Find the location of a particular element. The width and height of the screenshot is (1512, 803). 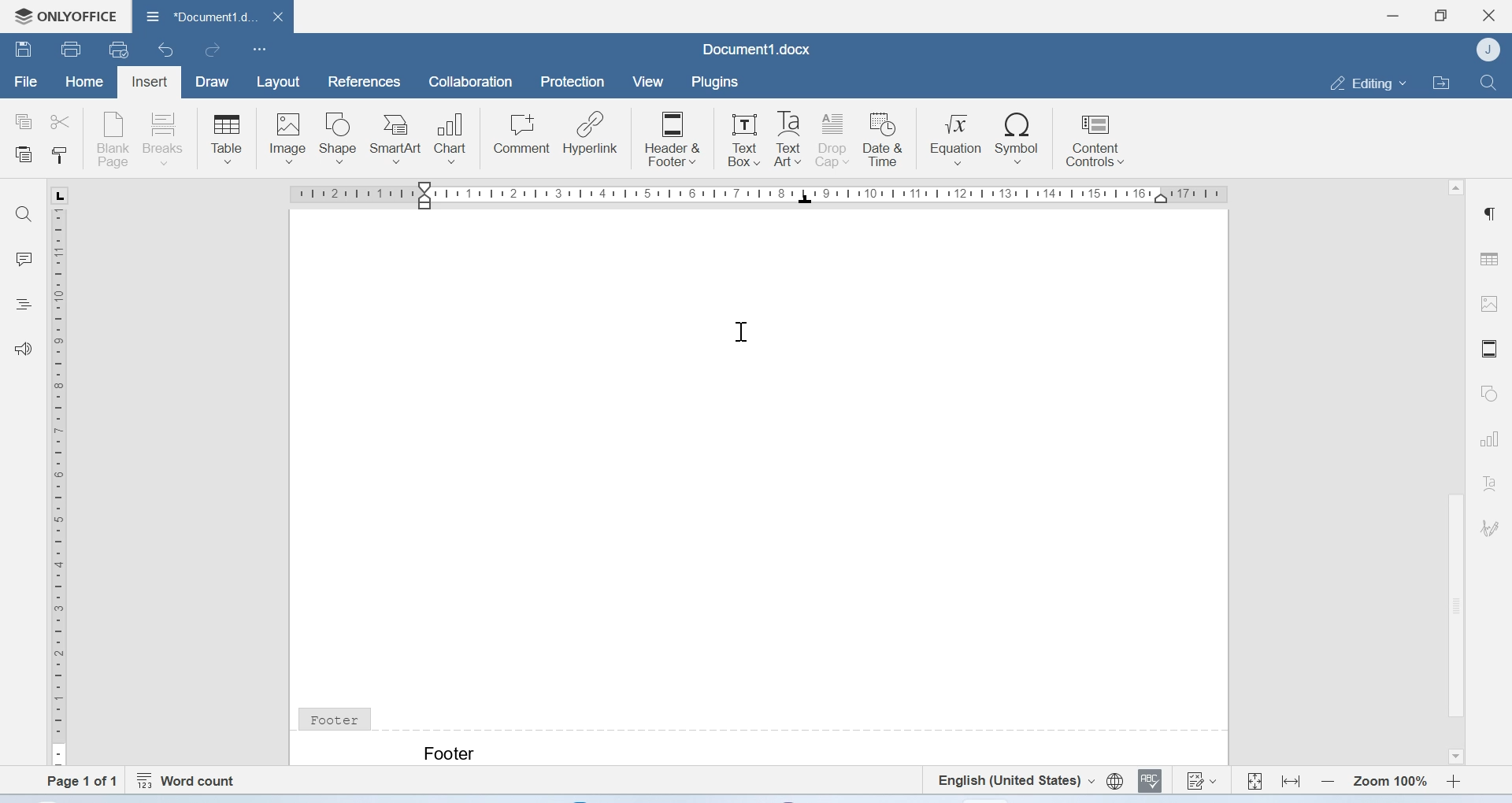

Paragraph settings is located at coordinates (1492, 214).